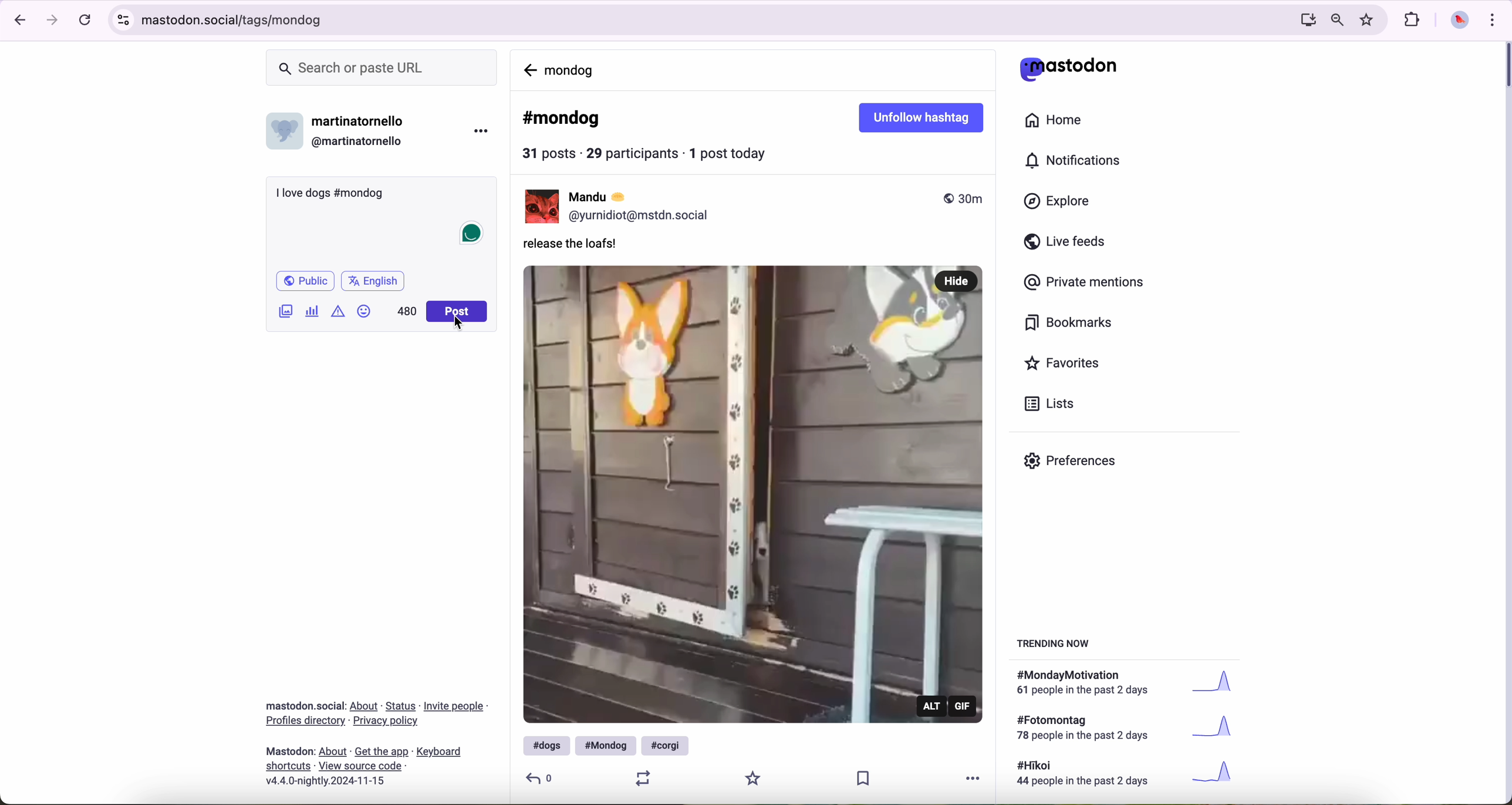 Image resolution: width=1512 pixels, height=805 pixels. I want to click on reply, so click(541, 777).